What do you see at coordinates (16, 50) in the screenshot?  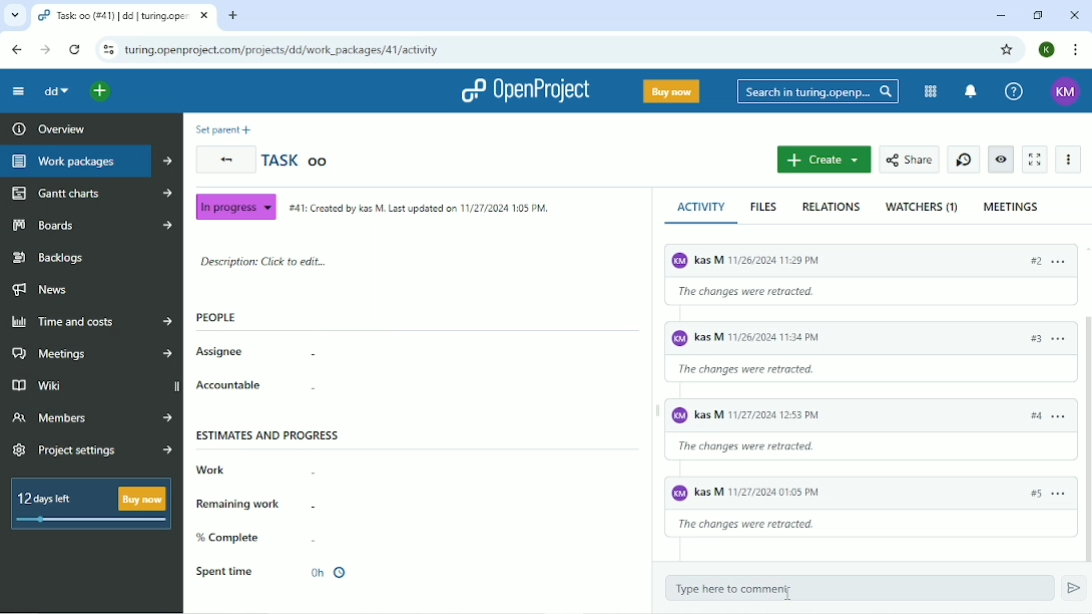 I see `Back` at bounding box center [16, 50].